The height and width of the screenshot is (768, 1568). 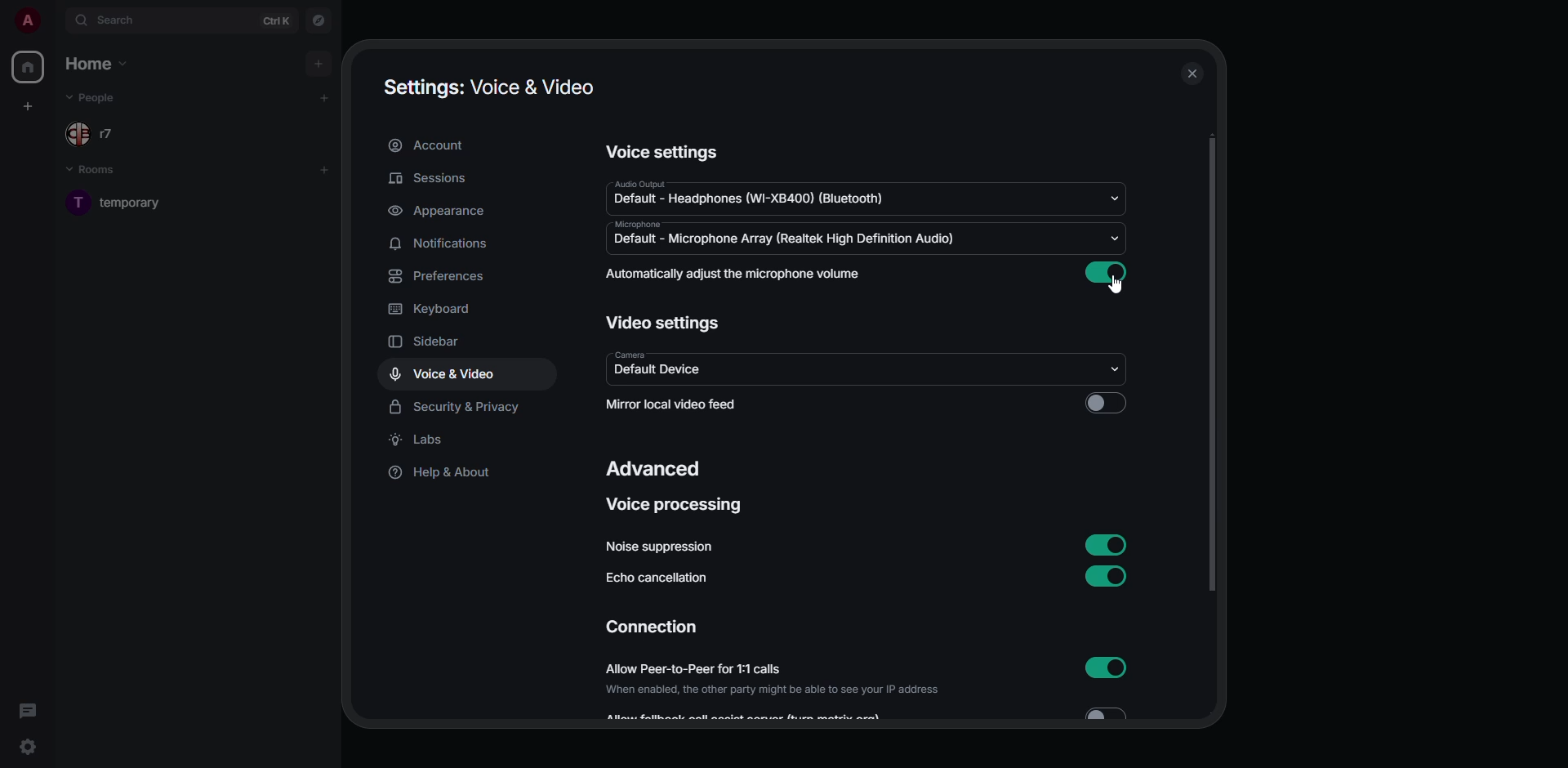 What do you see at coordinates (423, 440) in the screenshot?
I see `labs` at bounding box center [423, 440].